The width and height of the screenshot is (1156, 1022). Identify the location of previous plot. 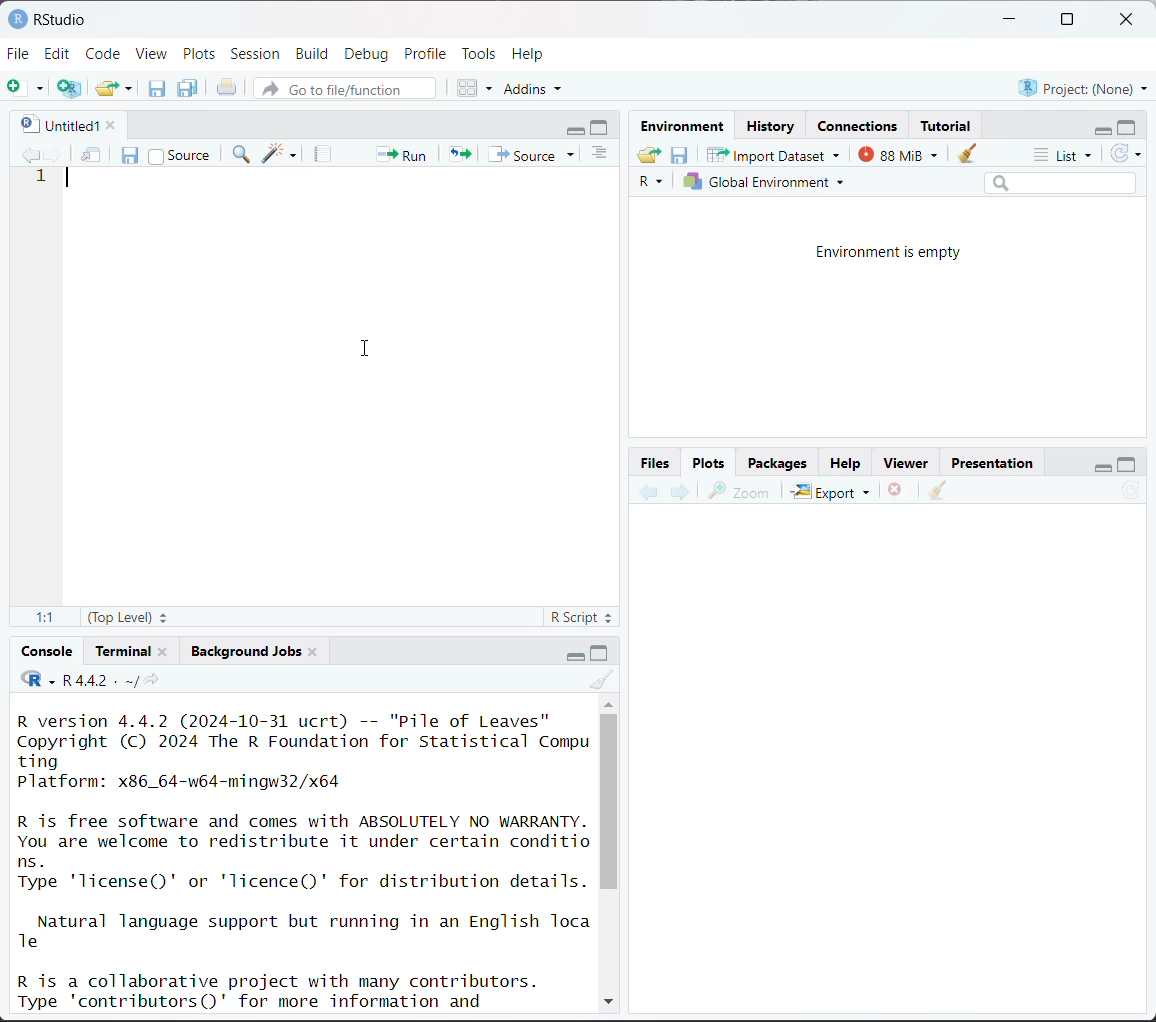
(649, 493).